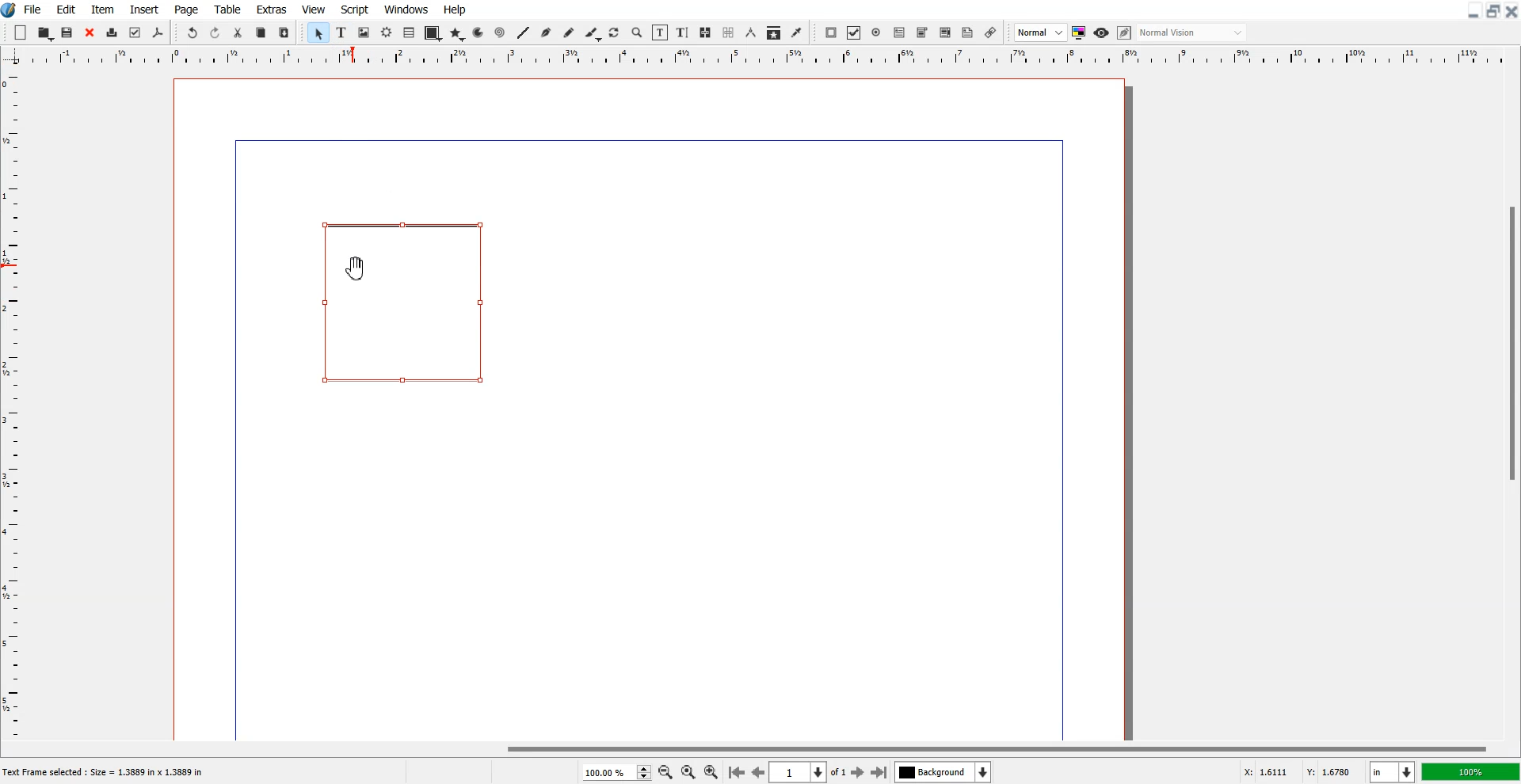 The width and height of the screenshot is (1521, 784). I want to click on Preview mode, so click(1102, 32).